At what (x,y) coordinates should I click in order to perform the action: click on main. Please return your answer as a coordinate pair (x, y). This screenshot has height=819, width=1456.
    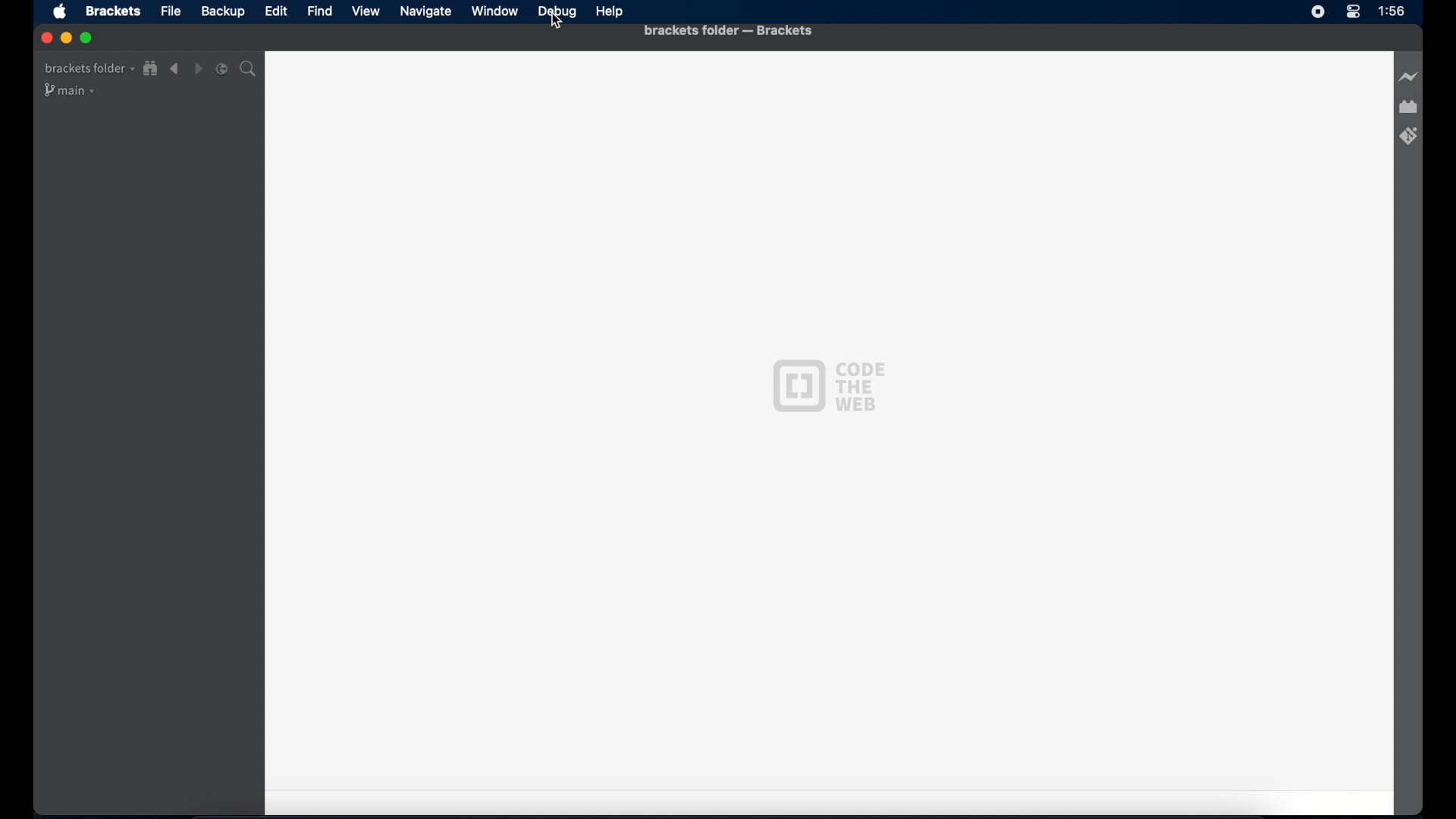
    Looking at the image, I should click on (71, 91).